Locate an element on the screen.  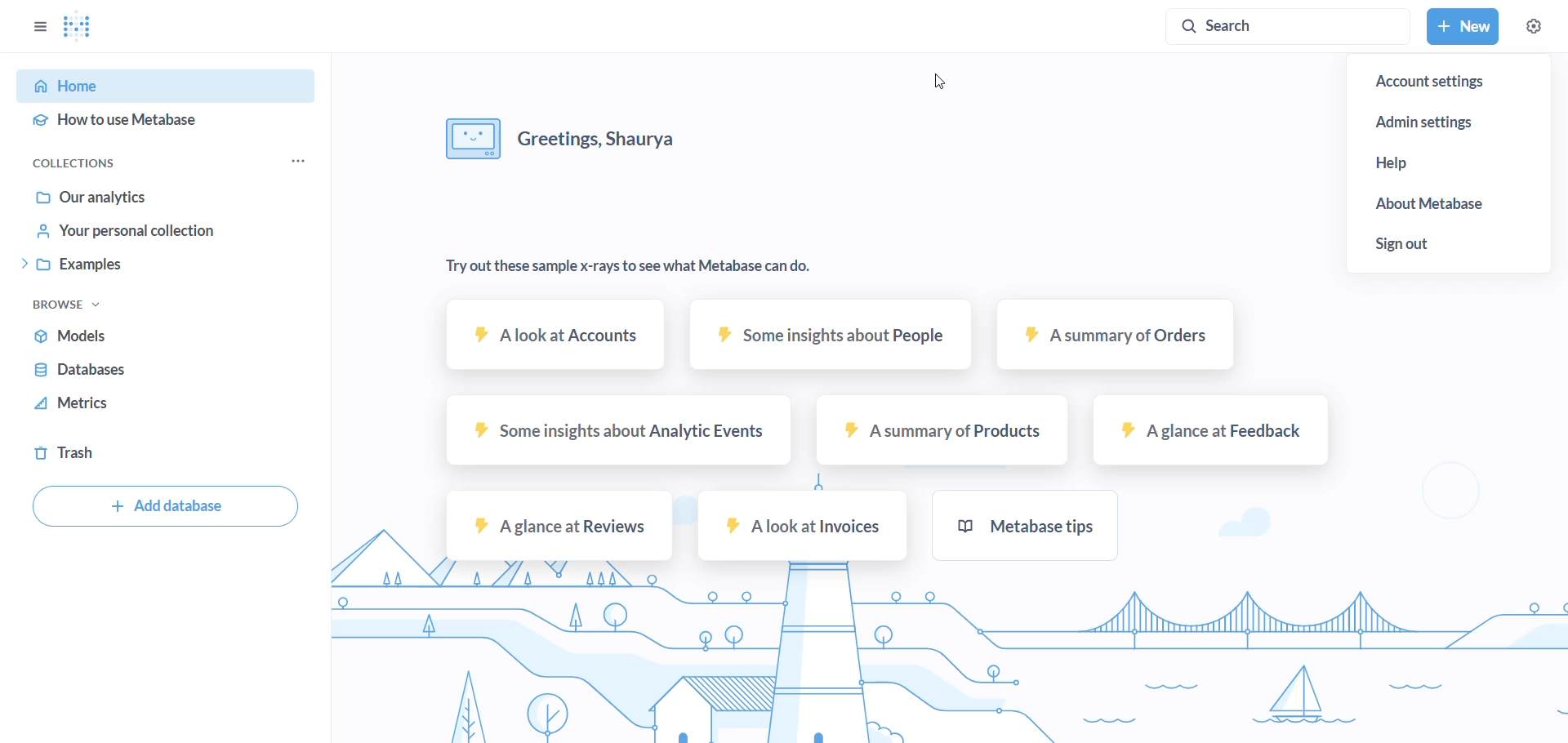
database is located at coordinates (90, 369).